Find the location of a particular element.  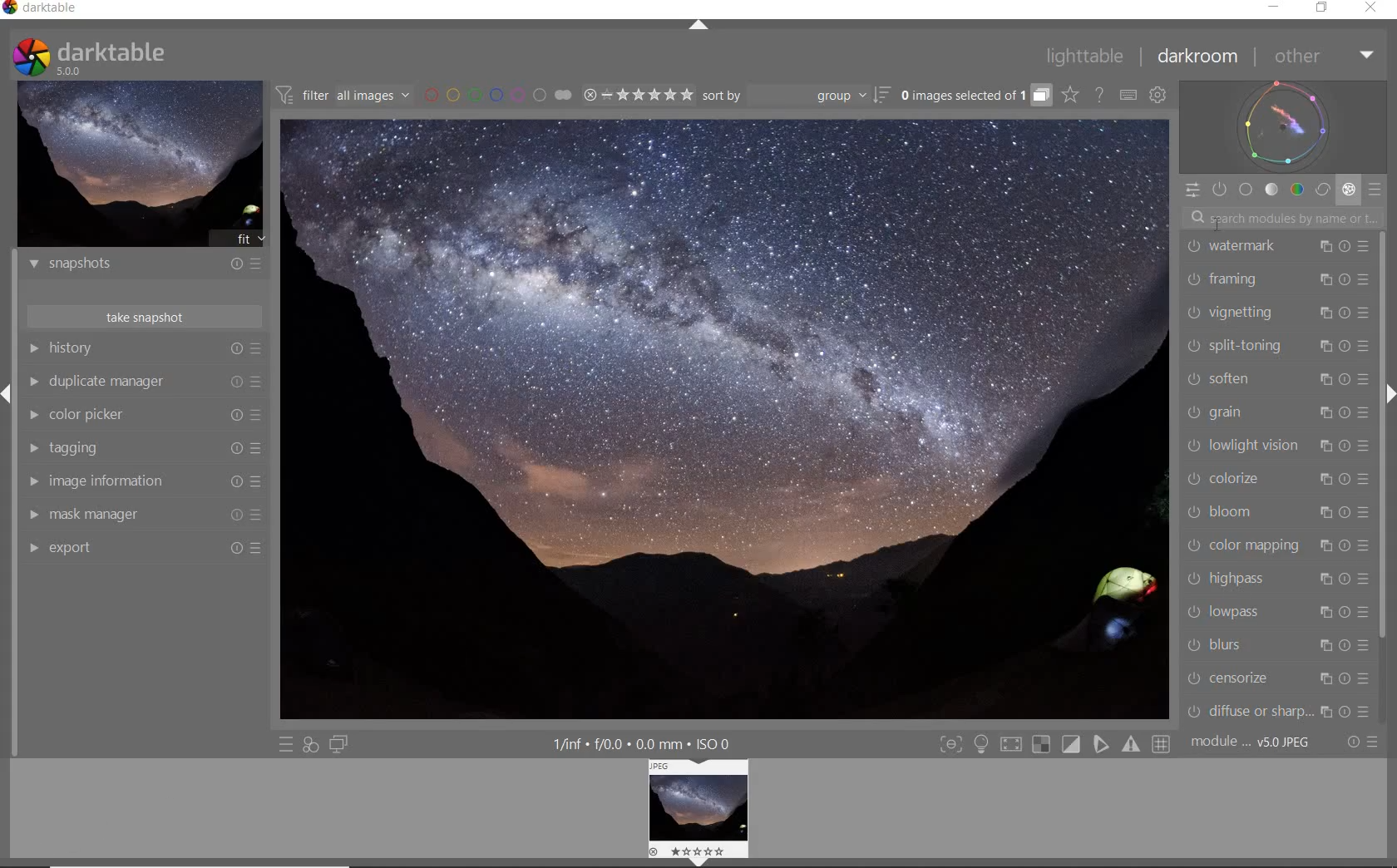

multiple instance actions is located at coordinates (1324, 444).